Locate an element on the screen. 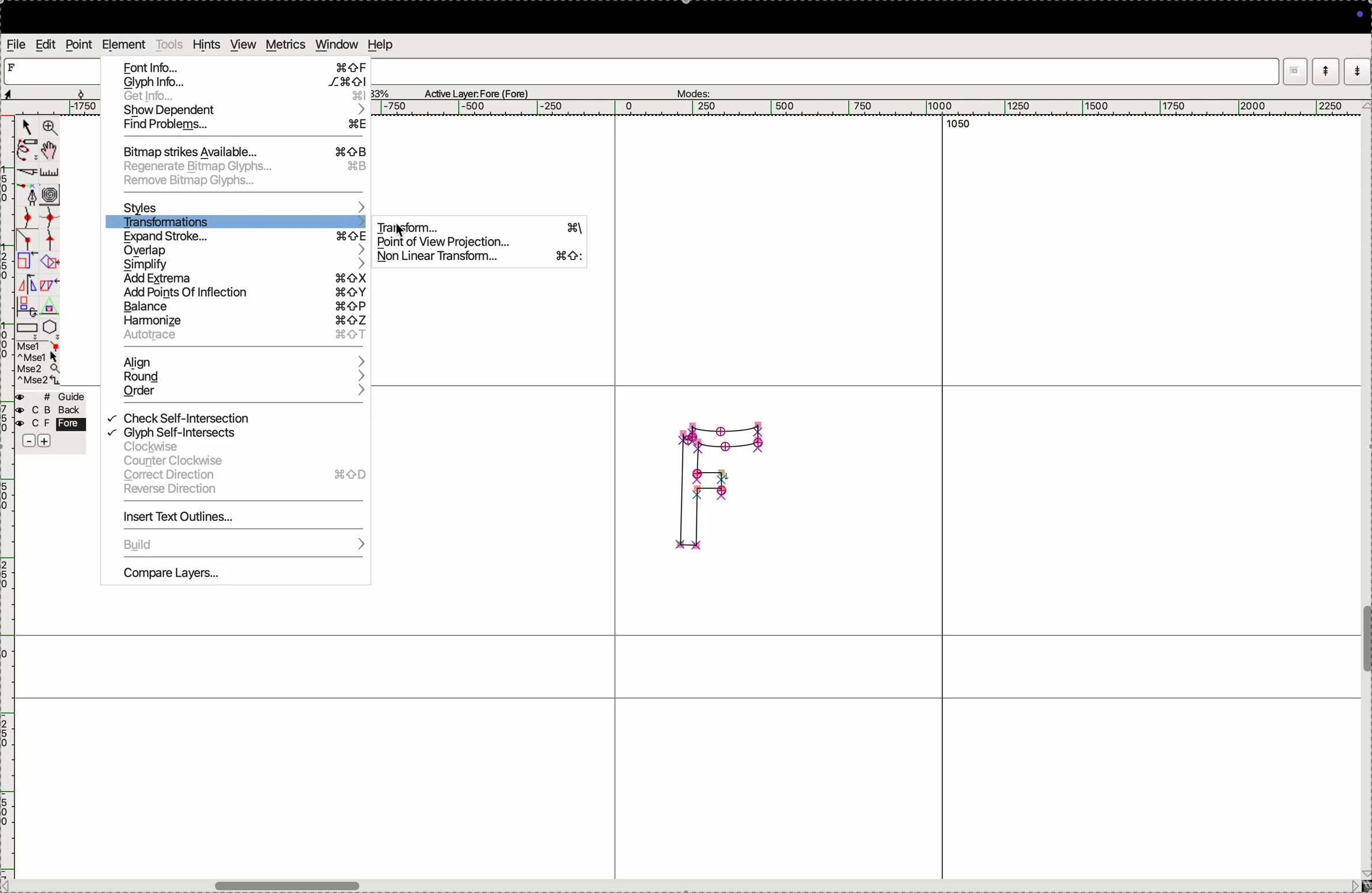 The image size is (1372, 893). harmonize is located at coordinates (240, 322).